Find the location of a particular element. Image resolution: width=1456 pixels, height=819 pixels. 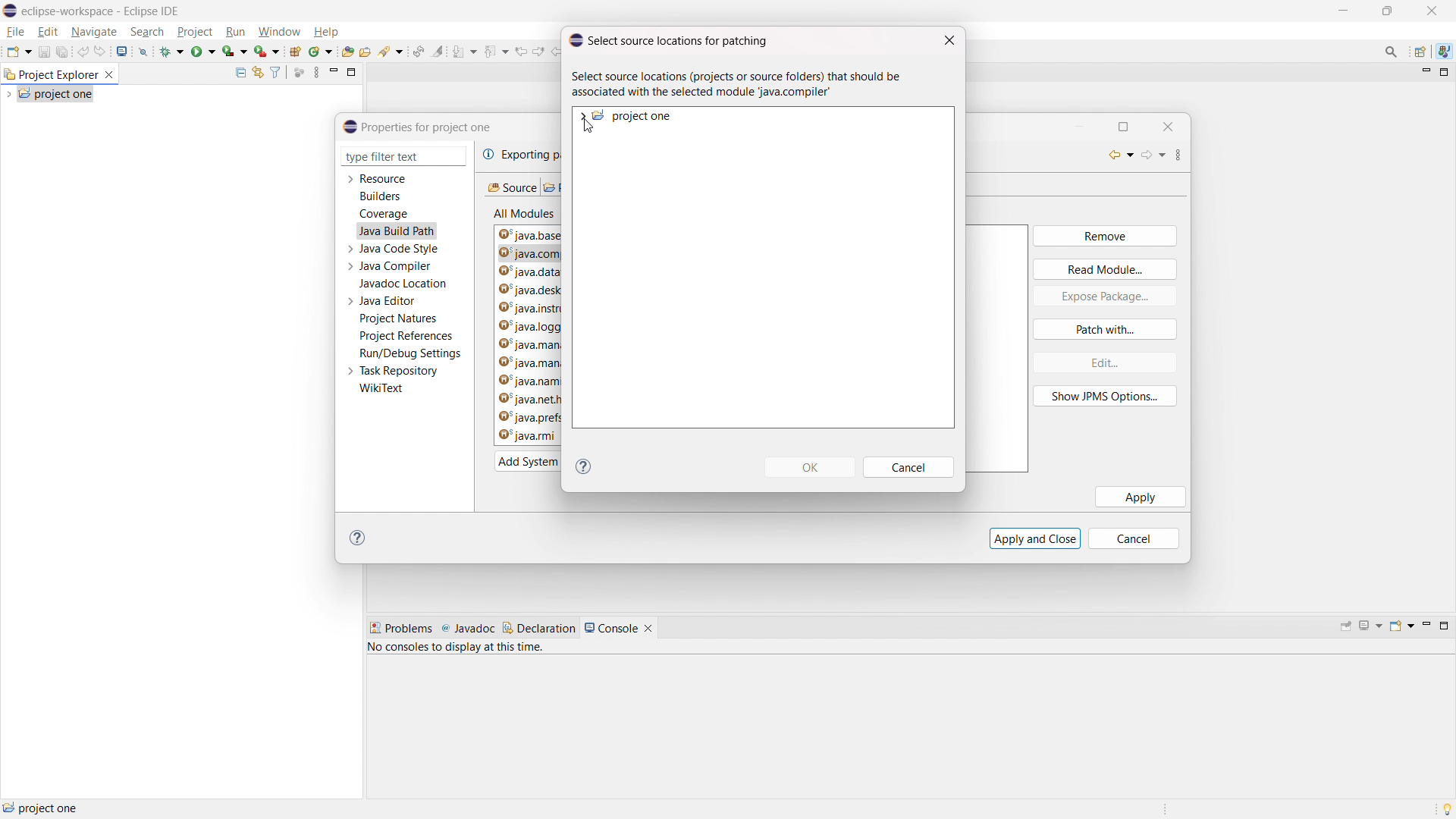

new java class is located at coordinates (321, 52).